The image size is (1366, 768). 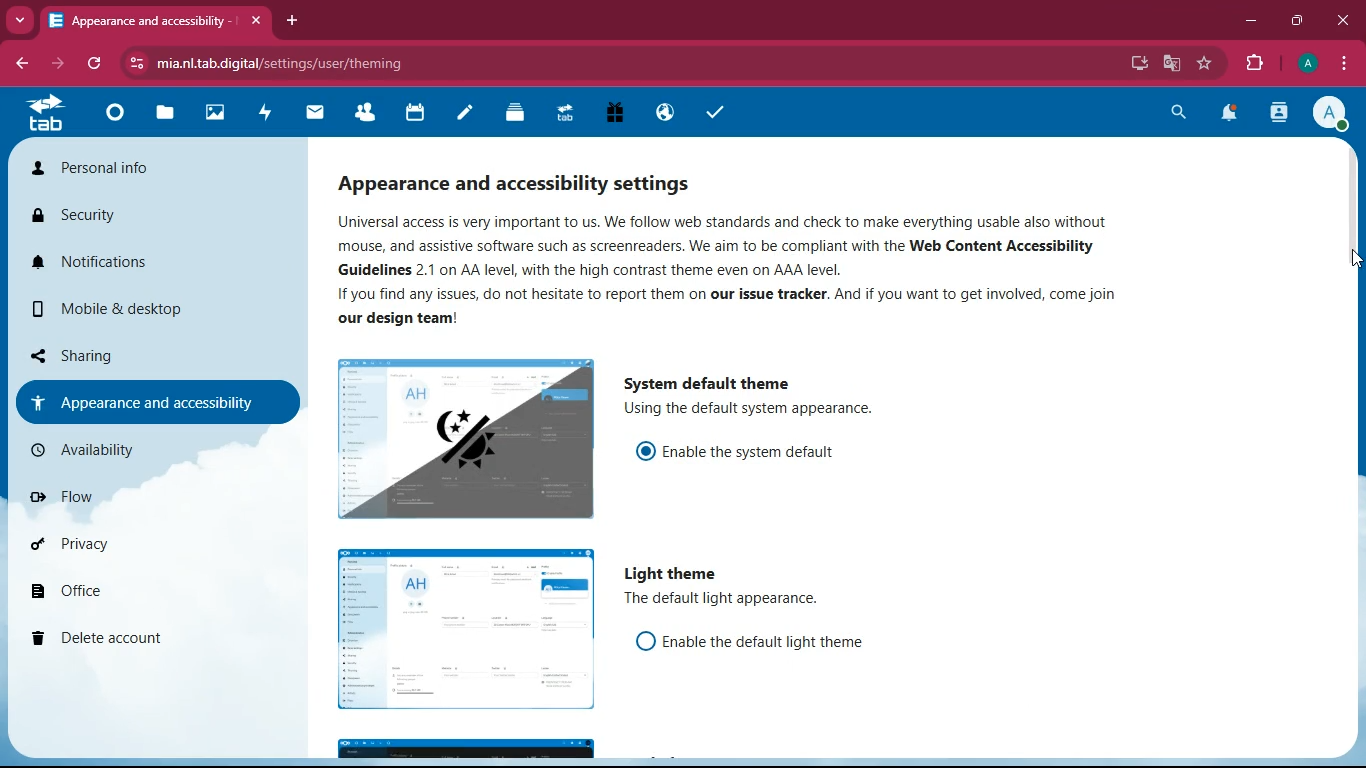 What do you see at coordinates (1342, 19) in the screenshot?
I see `close` at bounding box center [1342, 19].